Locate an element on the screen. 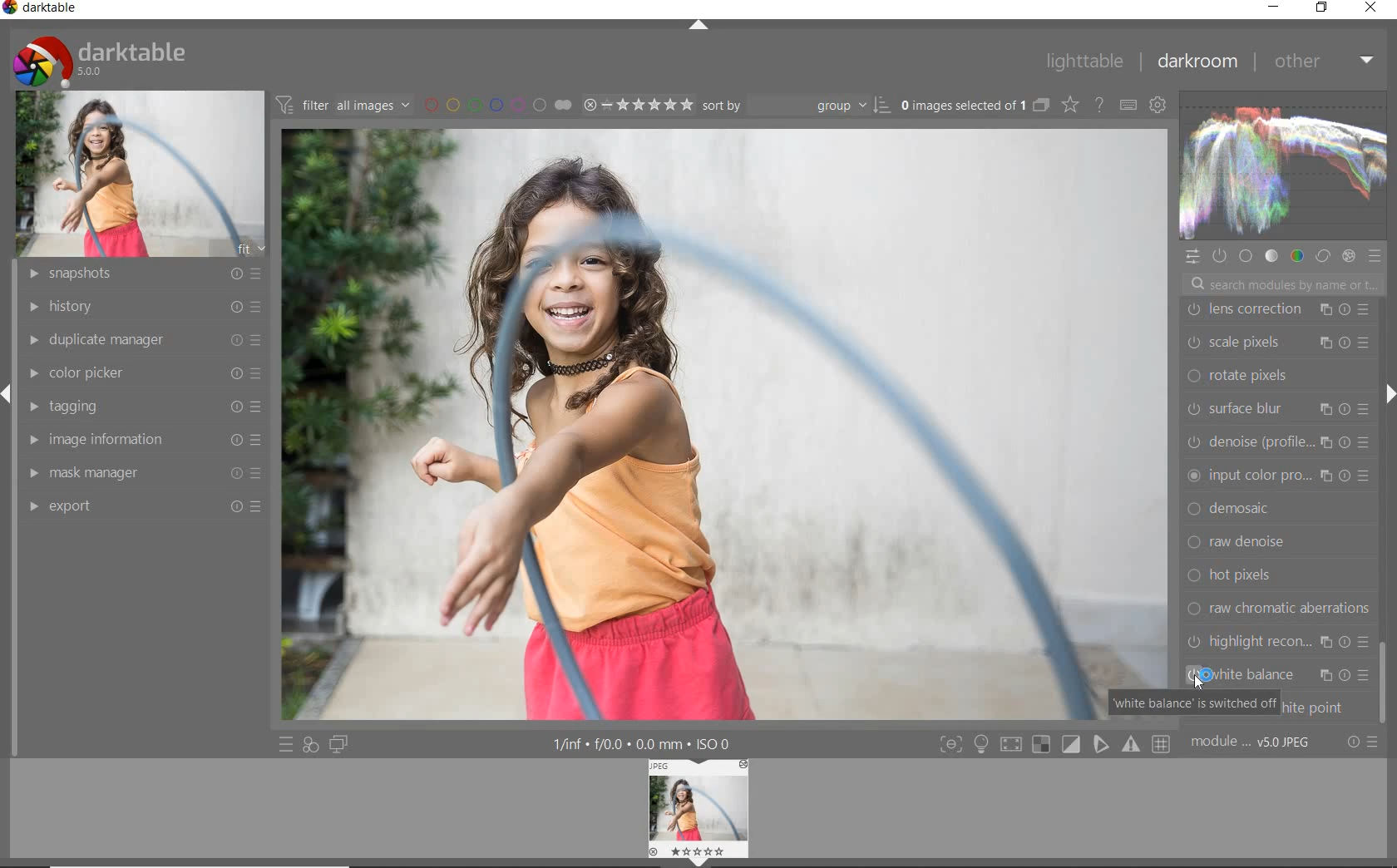 The image size is (1397, 868). display a second darkroom image window is located at coordinates (342, 744).